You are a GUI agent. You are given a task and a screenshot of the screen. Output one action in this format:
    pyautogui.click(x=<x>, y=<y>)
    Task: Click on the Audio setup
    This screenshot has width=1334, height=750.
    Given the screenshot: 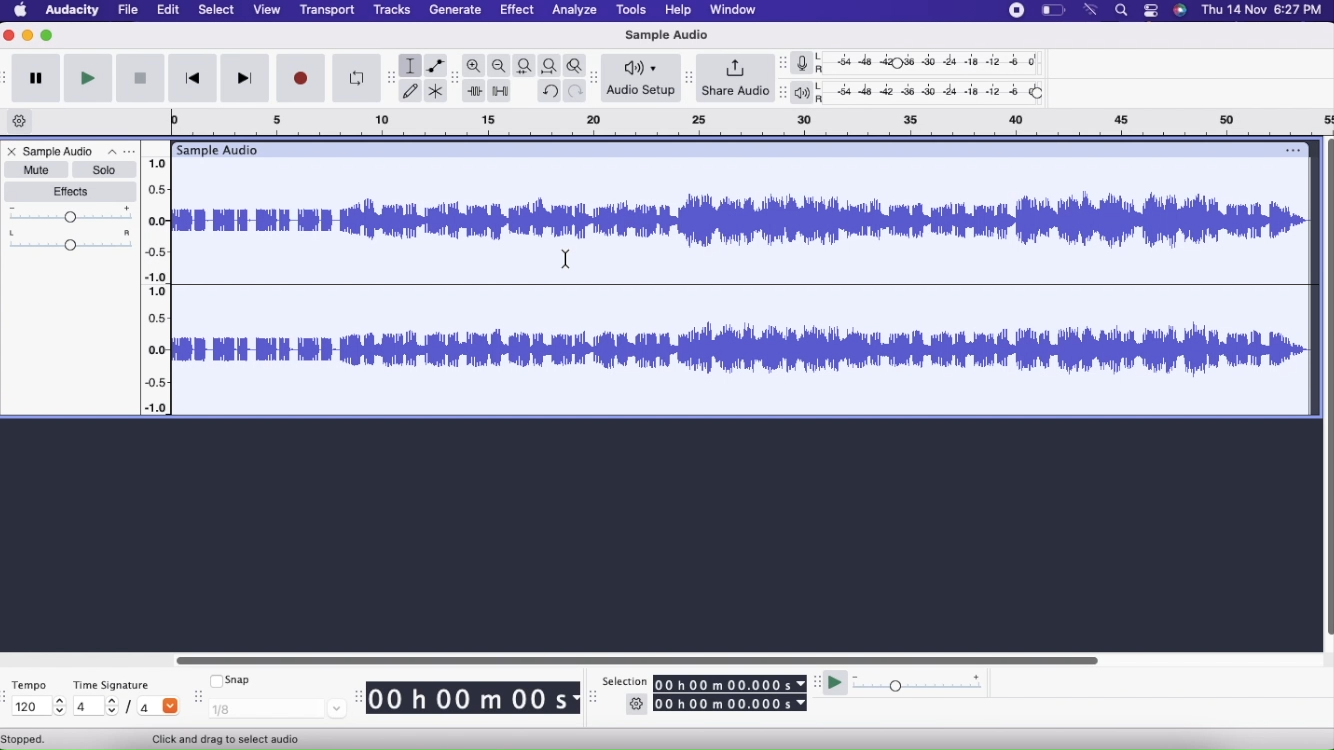 What is the action you would take?
    pyautogui.click(x=642, y=80)
    